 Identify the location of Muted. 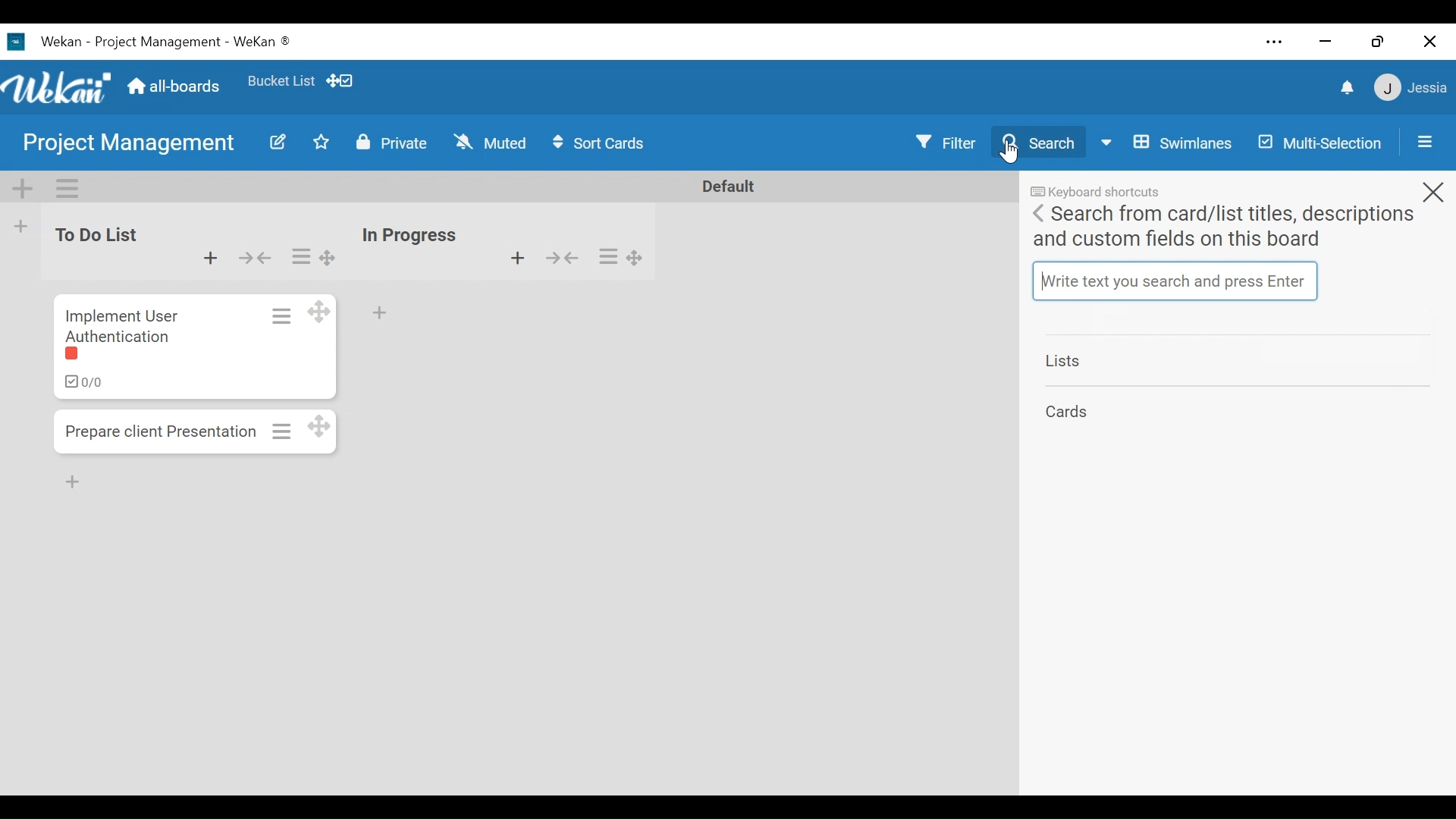
(491, 143).